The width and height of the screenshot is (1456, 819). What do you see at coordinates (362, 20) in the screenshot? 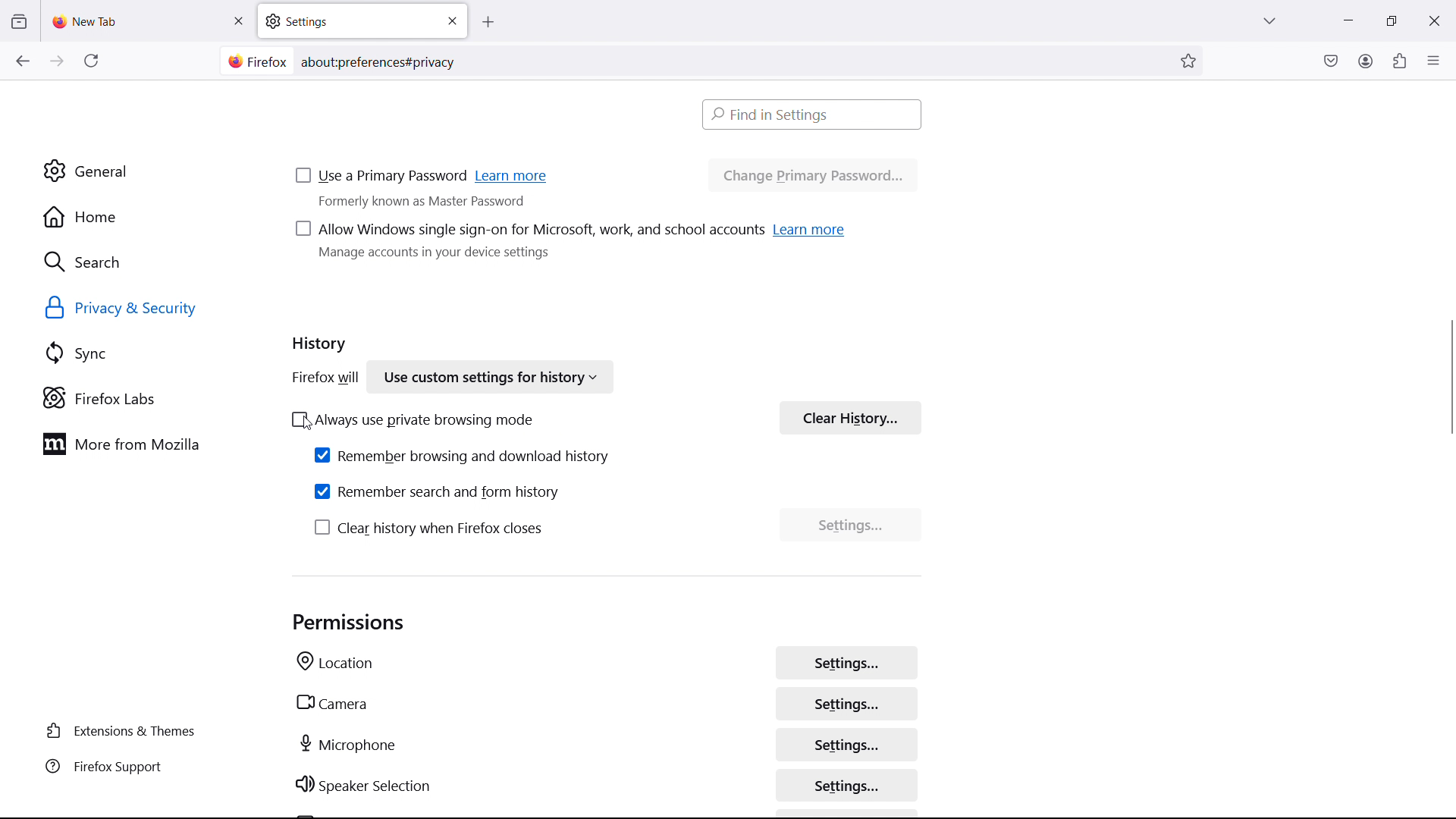
I see `settings tab` at bounding box center [362, 20].